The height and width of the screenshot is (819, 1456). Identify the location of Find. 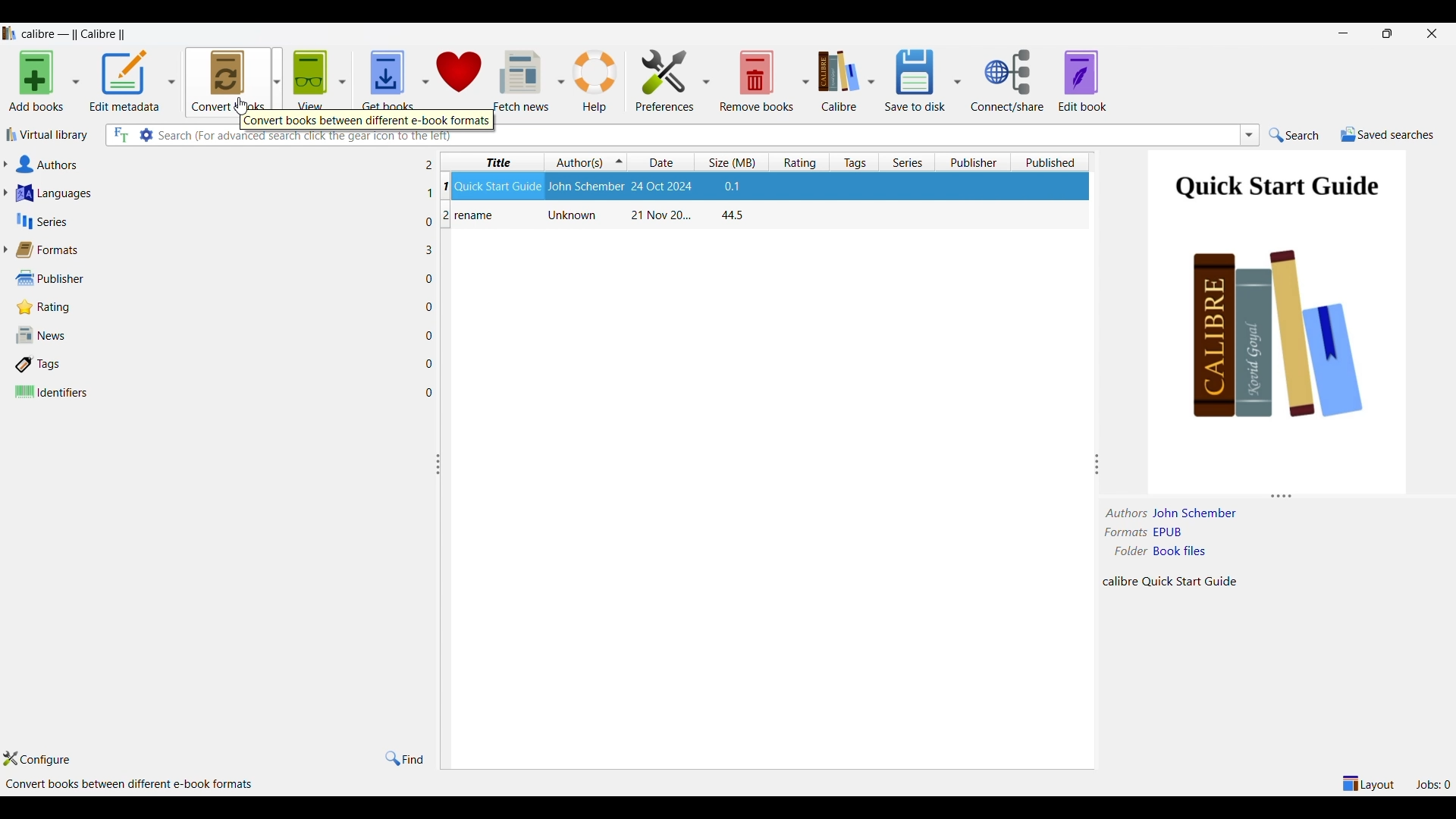
(406, 758).